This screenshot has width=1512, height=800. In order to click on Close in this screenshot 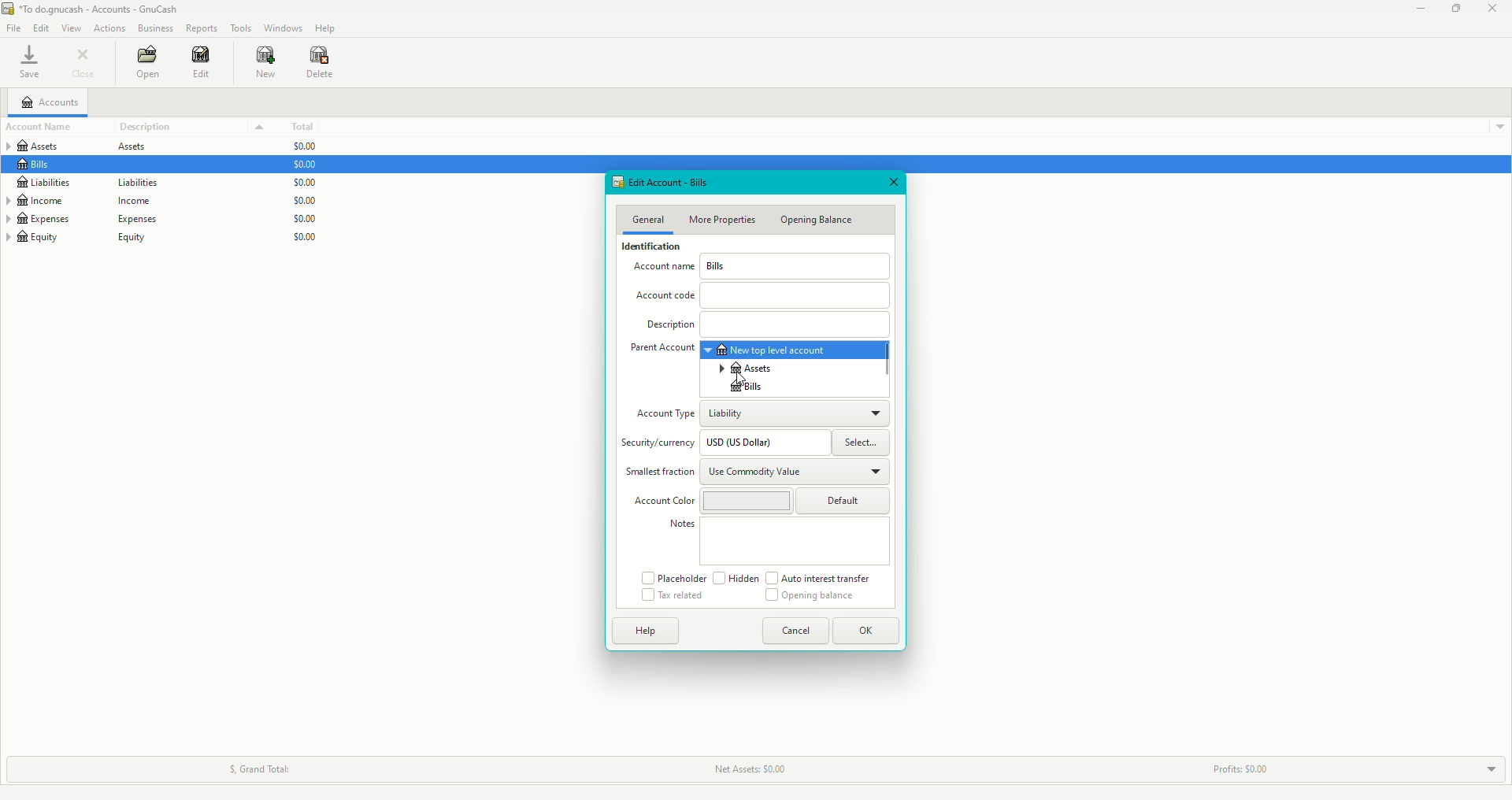, I will do `click(1495, 9)`.